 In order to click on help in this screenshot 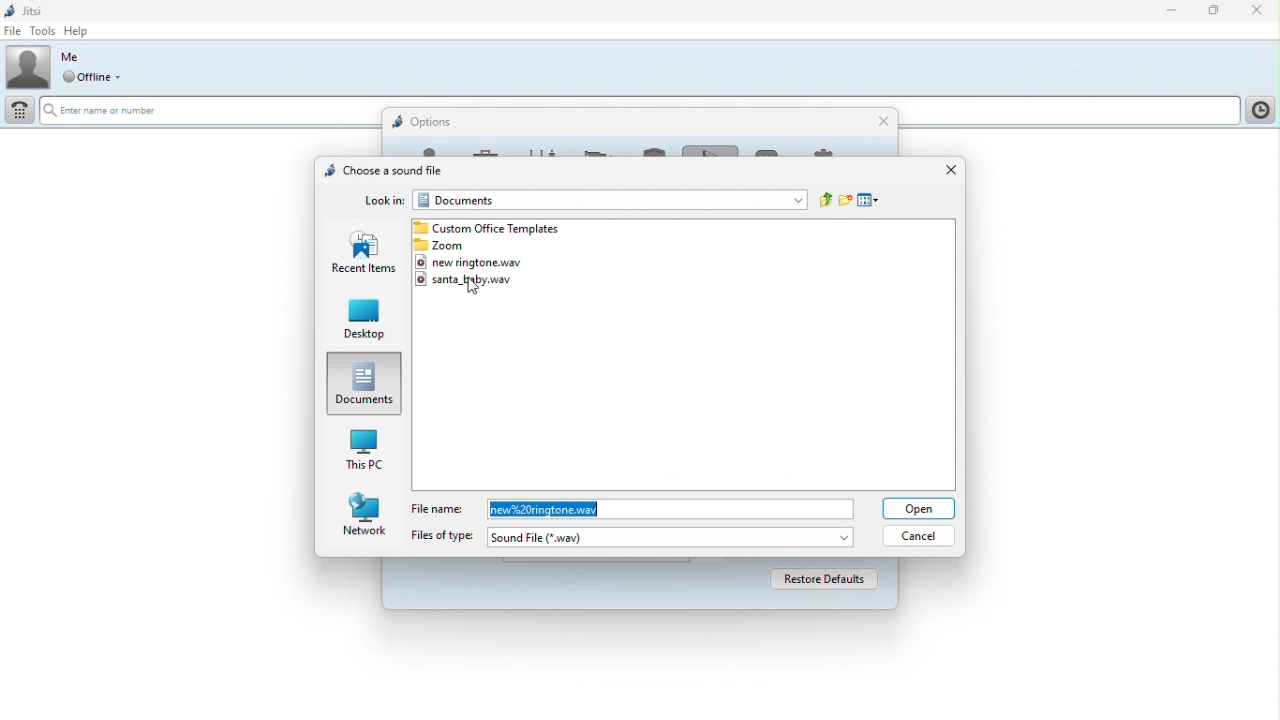, I will do `click(80, 31)`.